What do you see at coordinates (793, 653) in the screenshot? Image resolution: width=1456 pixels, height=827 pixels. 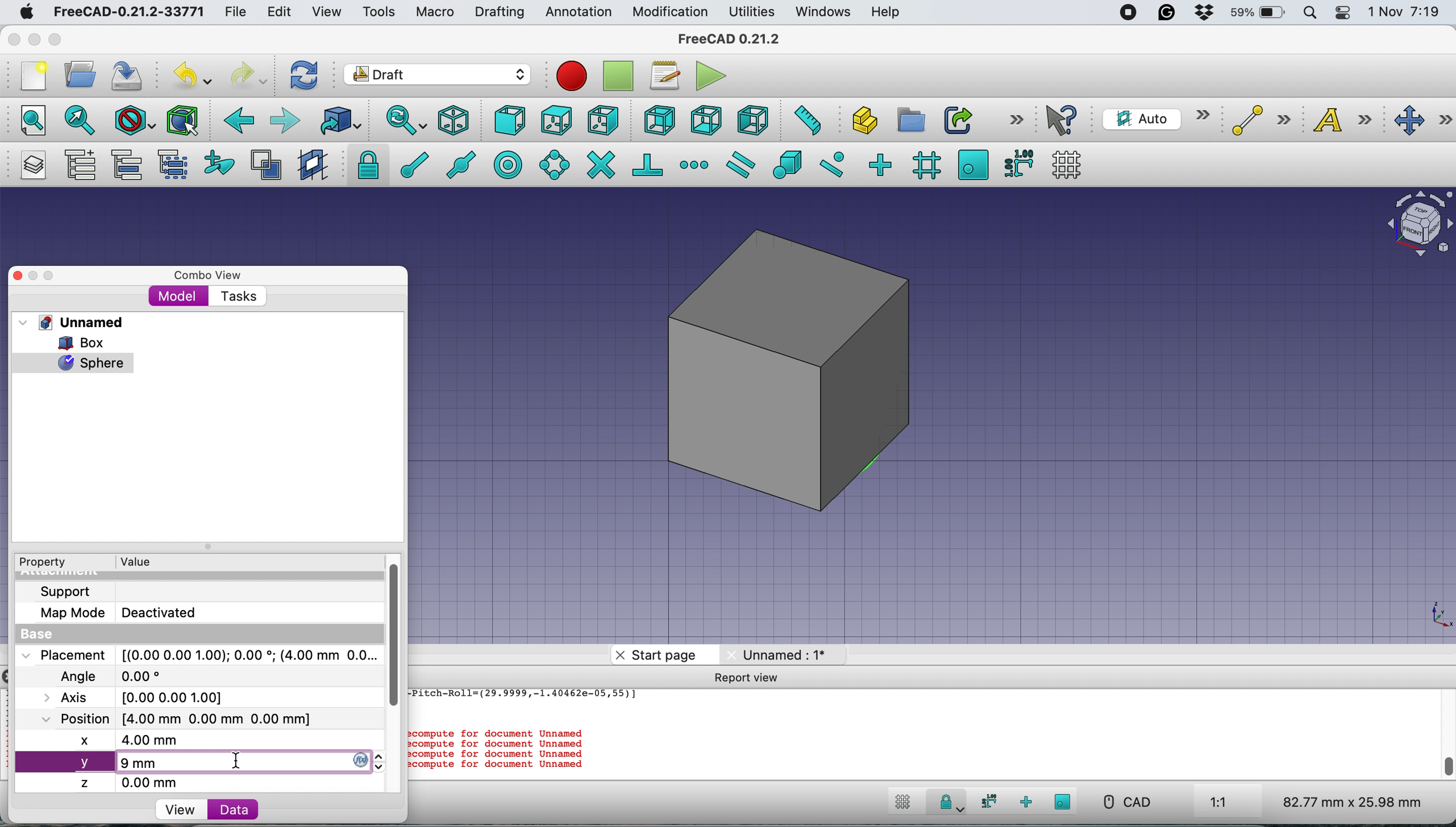 I see `unnamed` at bounding box center [793, 653].